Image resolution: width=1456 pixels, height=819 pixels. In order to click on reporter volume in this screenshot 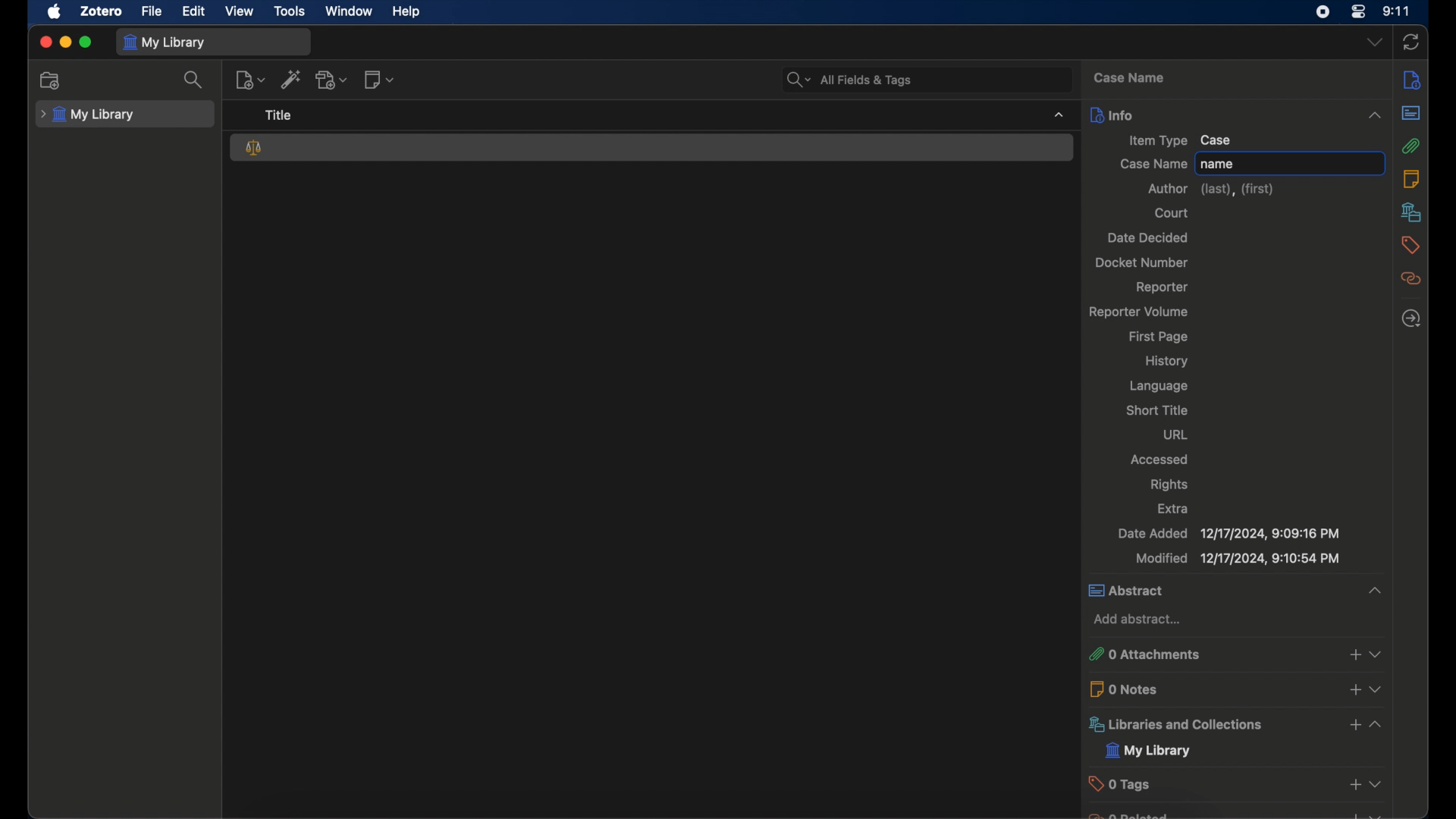, I will do `click(1137, 312)`.